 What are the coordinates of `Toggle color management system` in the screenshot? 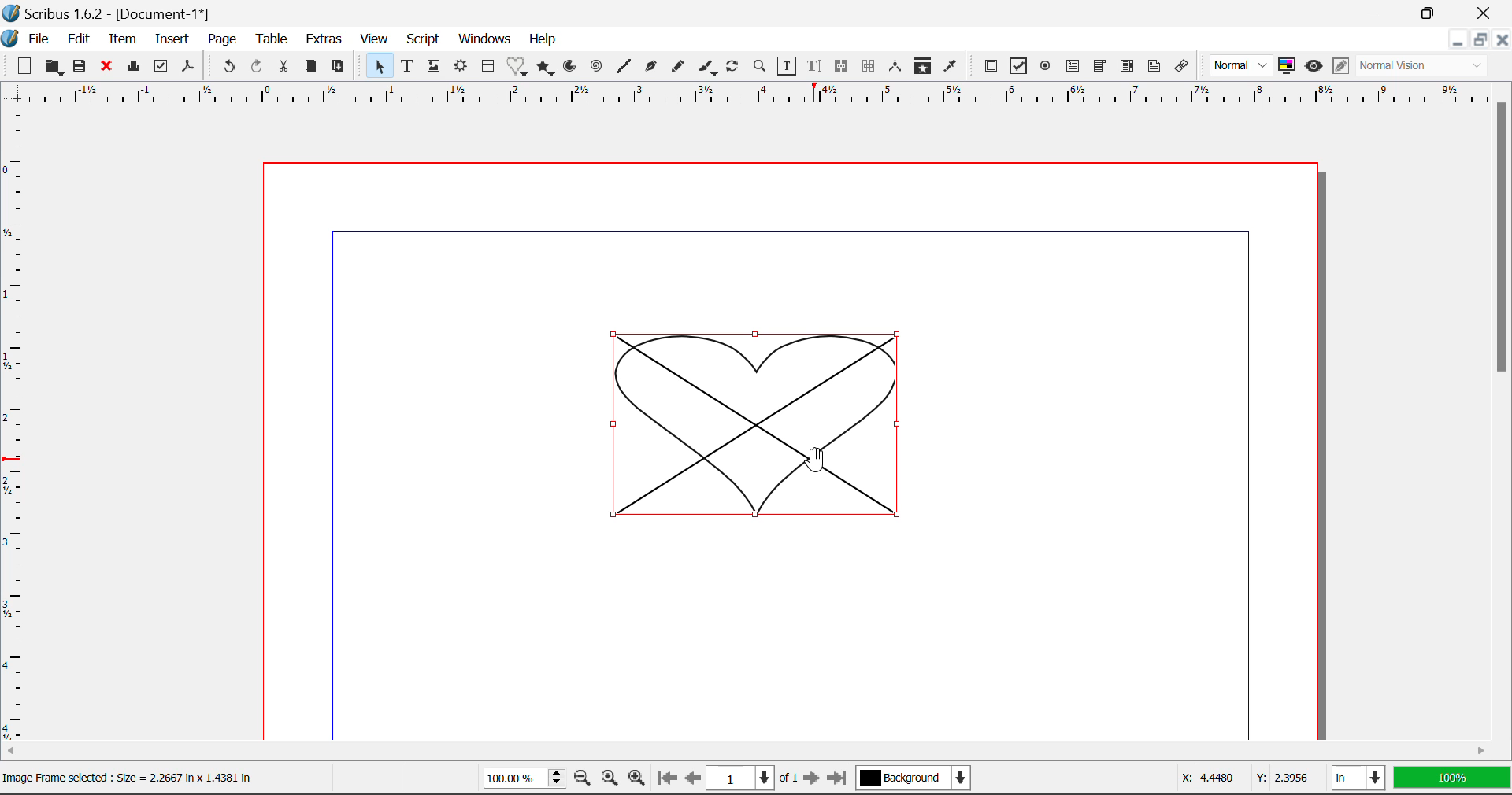 It's located at (1287, 67).